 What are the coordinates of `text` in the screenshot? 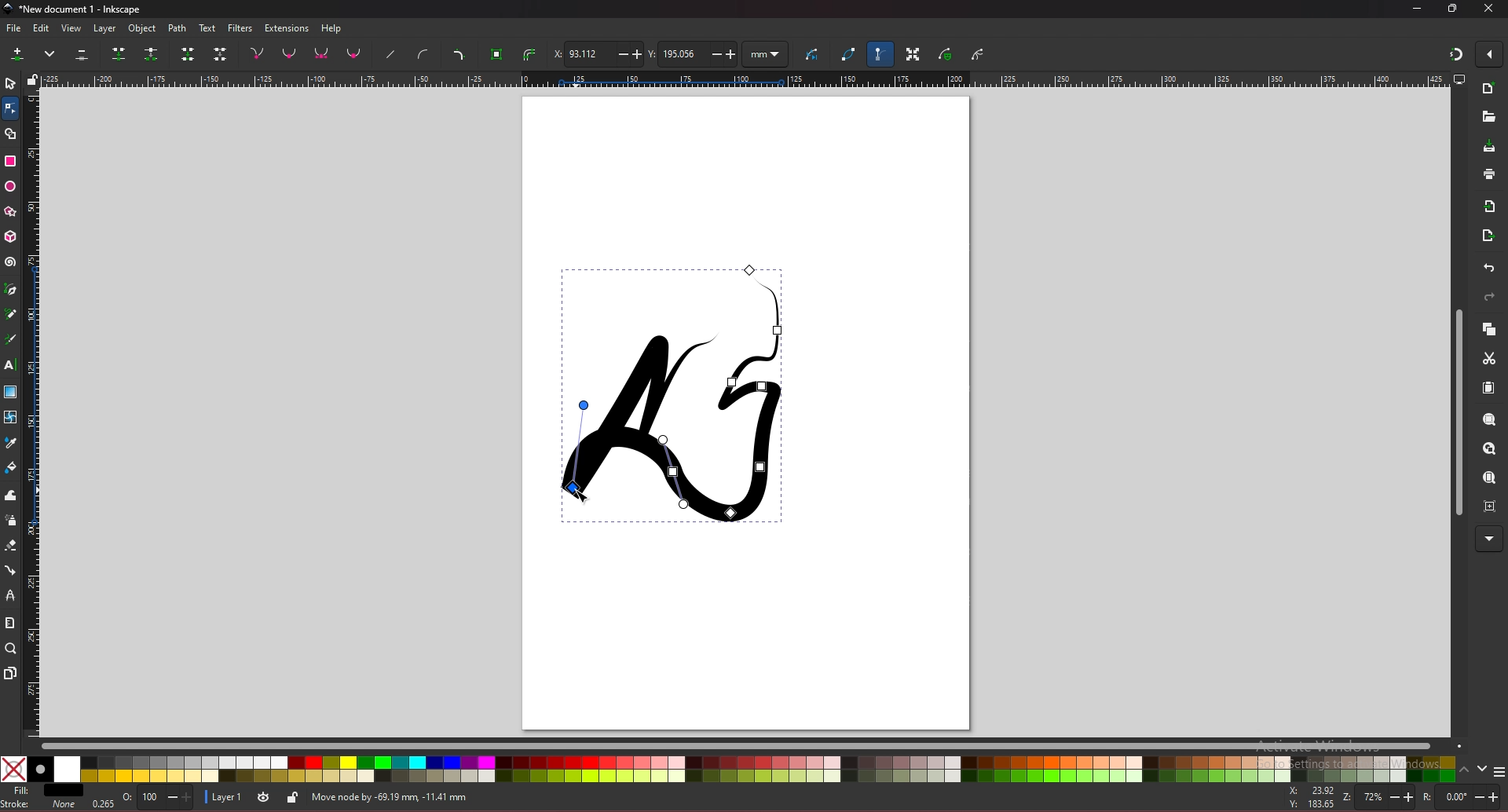 It's located at (10, 364).